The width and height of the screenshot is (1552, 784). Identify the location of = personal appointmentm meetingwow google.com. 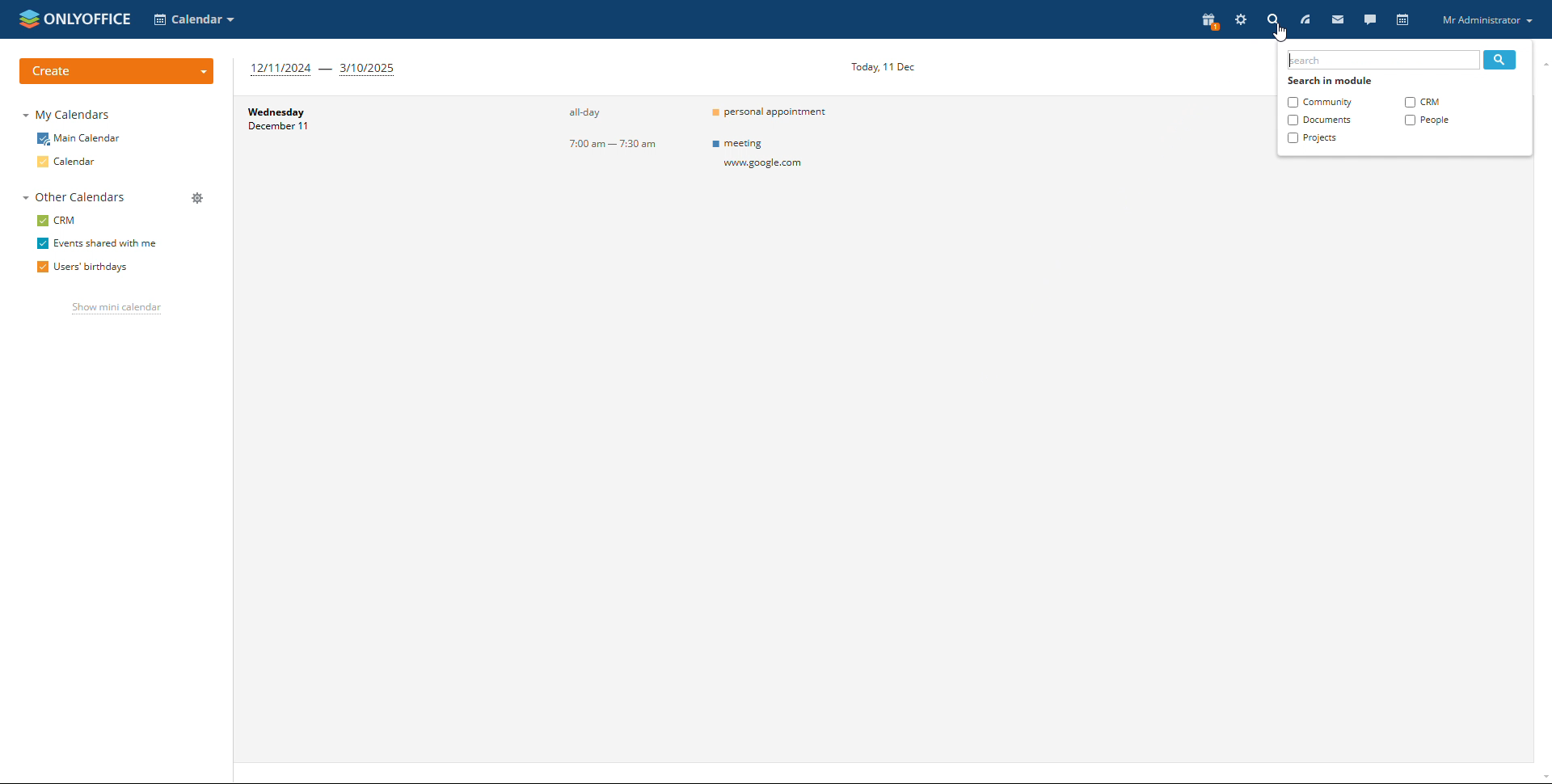
(774, 158).